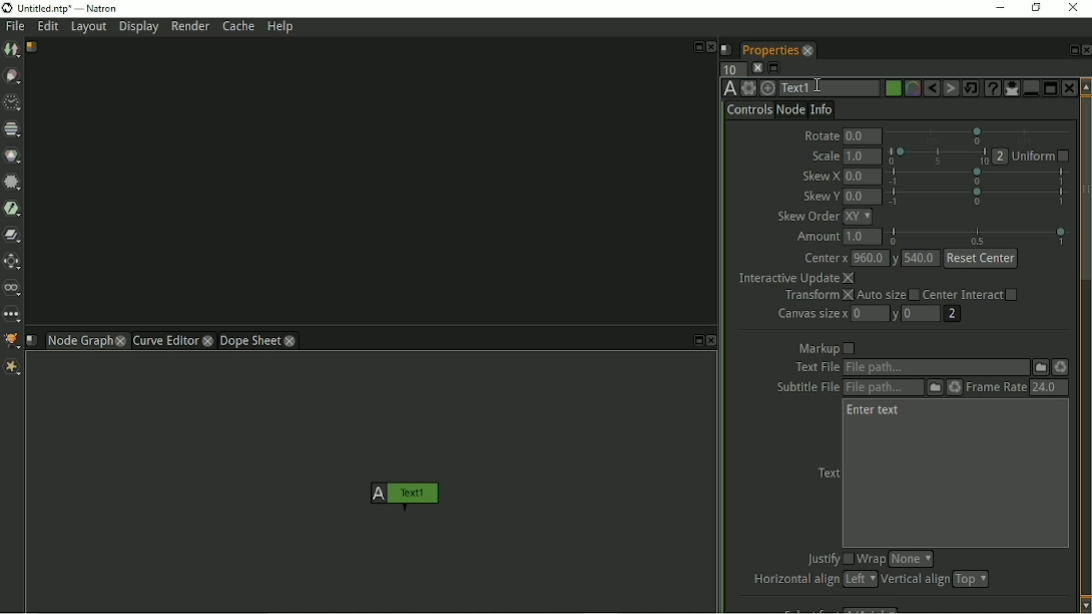  Describe the element at coordinates (14, 289) in the screenshot. I see `Views` at that location.